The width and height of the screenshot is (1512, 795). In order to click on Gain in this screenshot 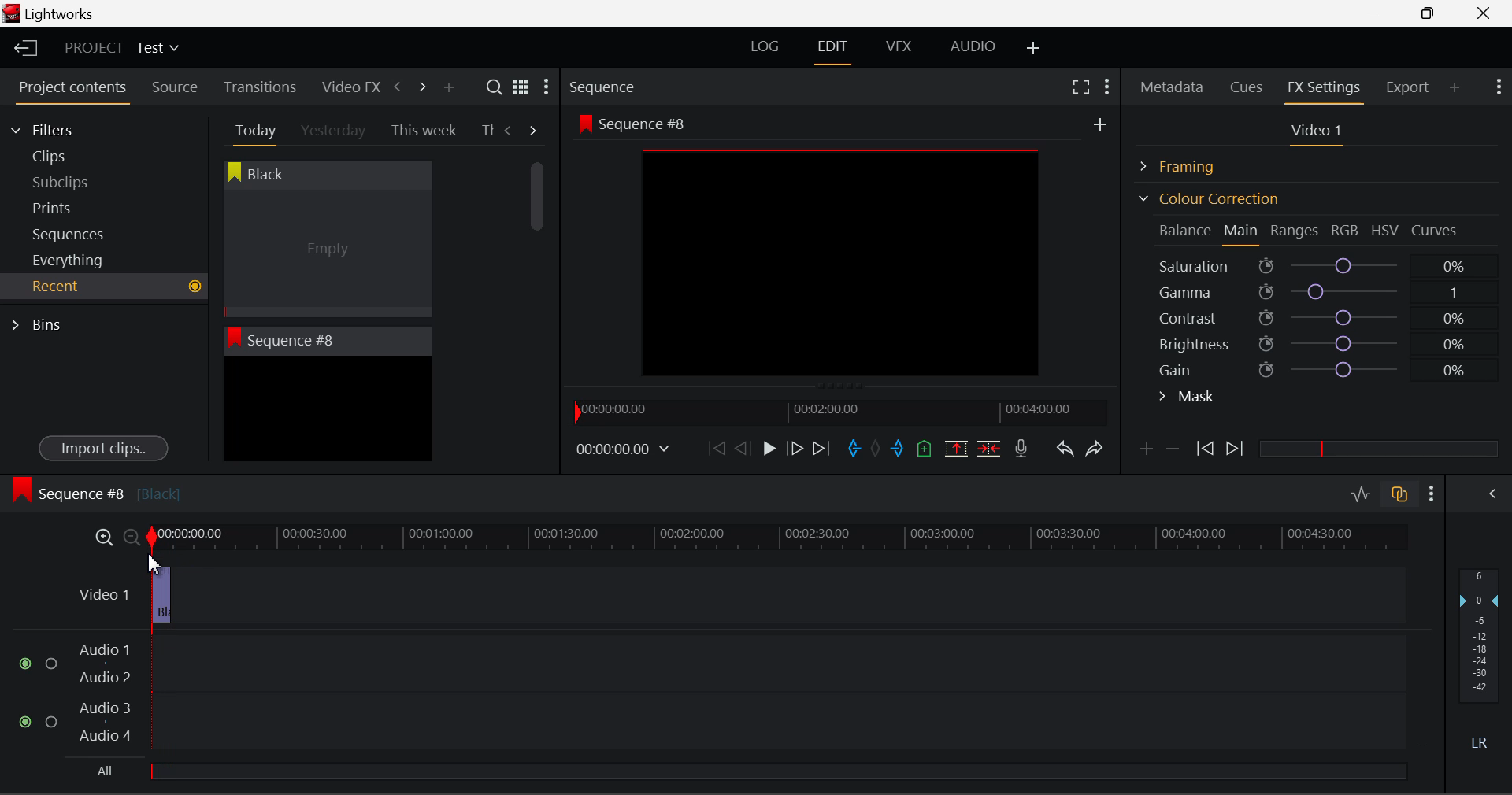, I will do `click(1332, 367)`.